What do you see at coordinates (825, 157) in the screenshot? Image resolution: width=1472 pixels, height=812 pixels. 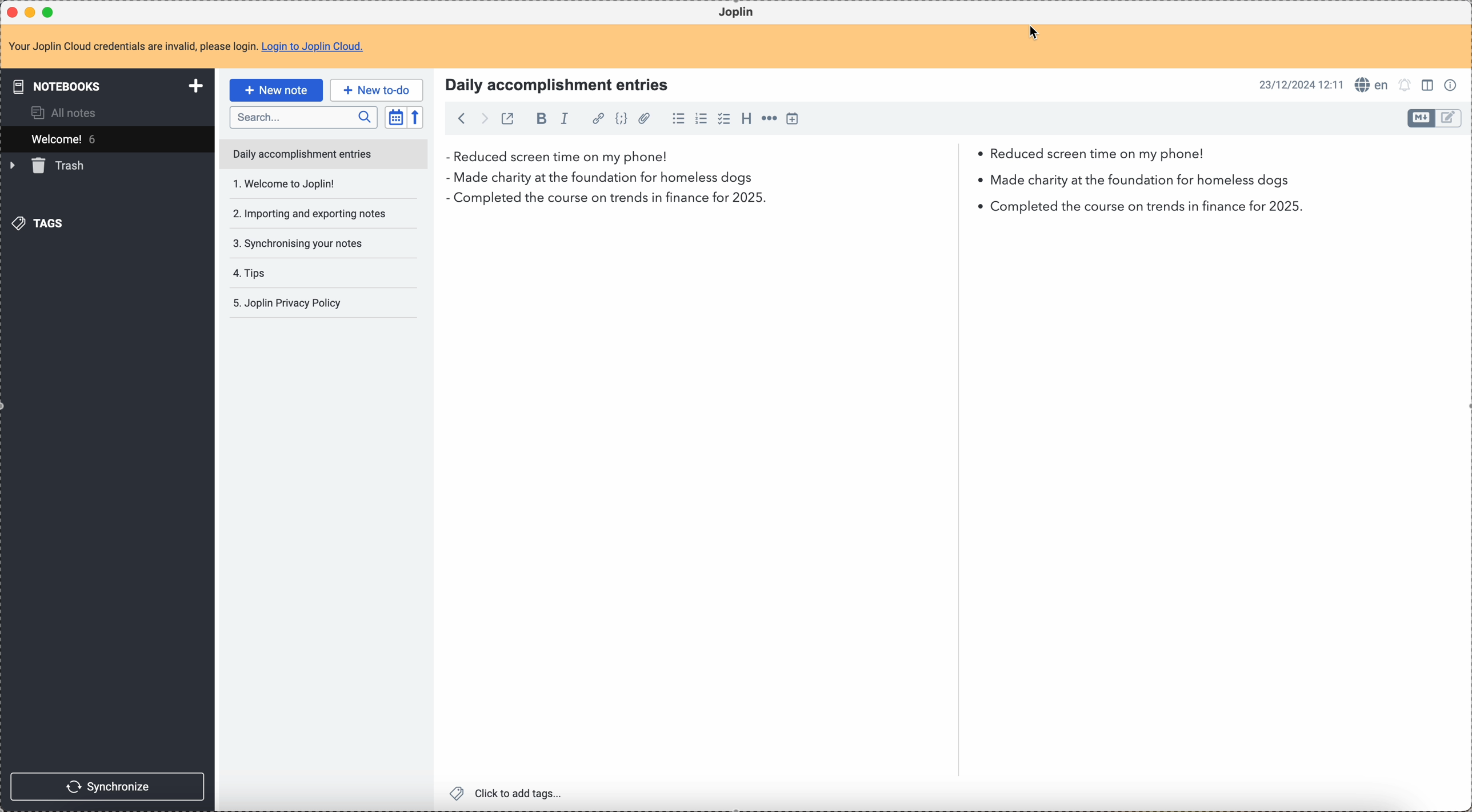 I see `reduced screen time on my phone` at bounding box center [825, 157].